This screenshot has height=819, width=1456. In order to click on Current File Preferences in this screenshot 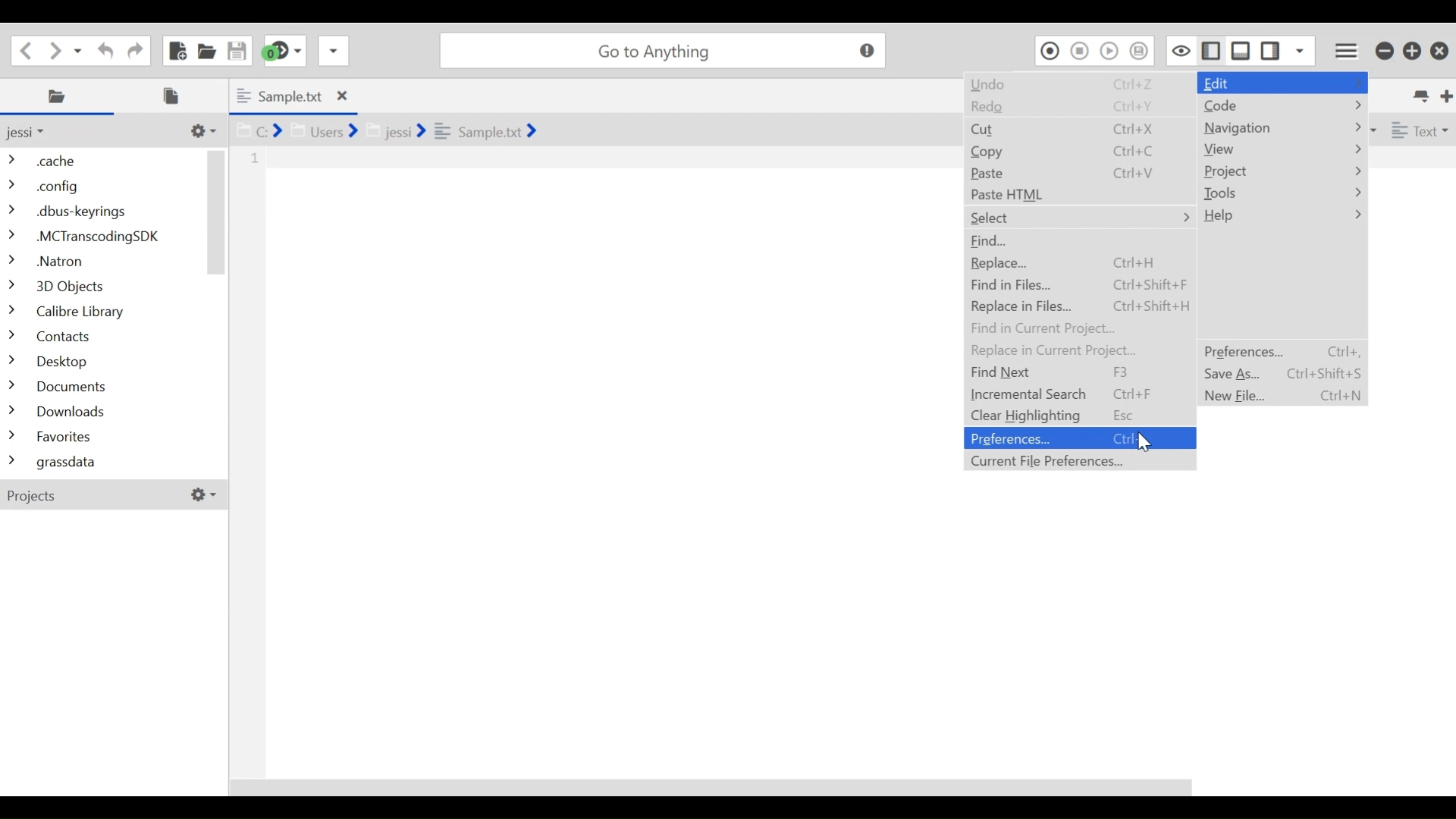, I will do `click(1079, 460)`.